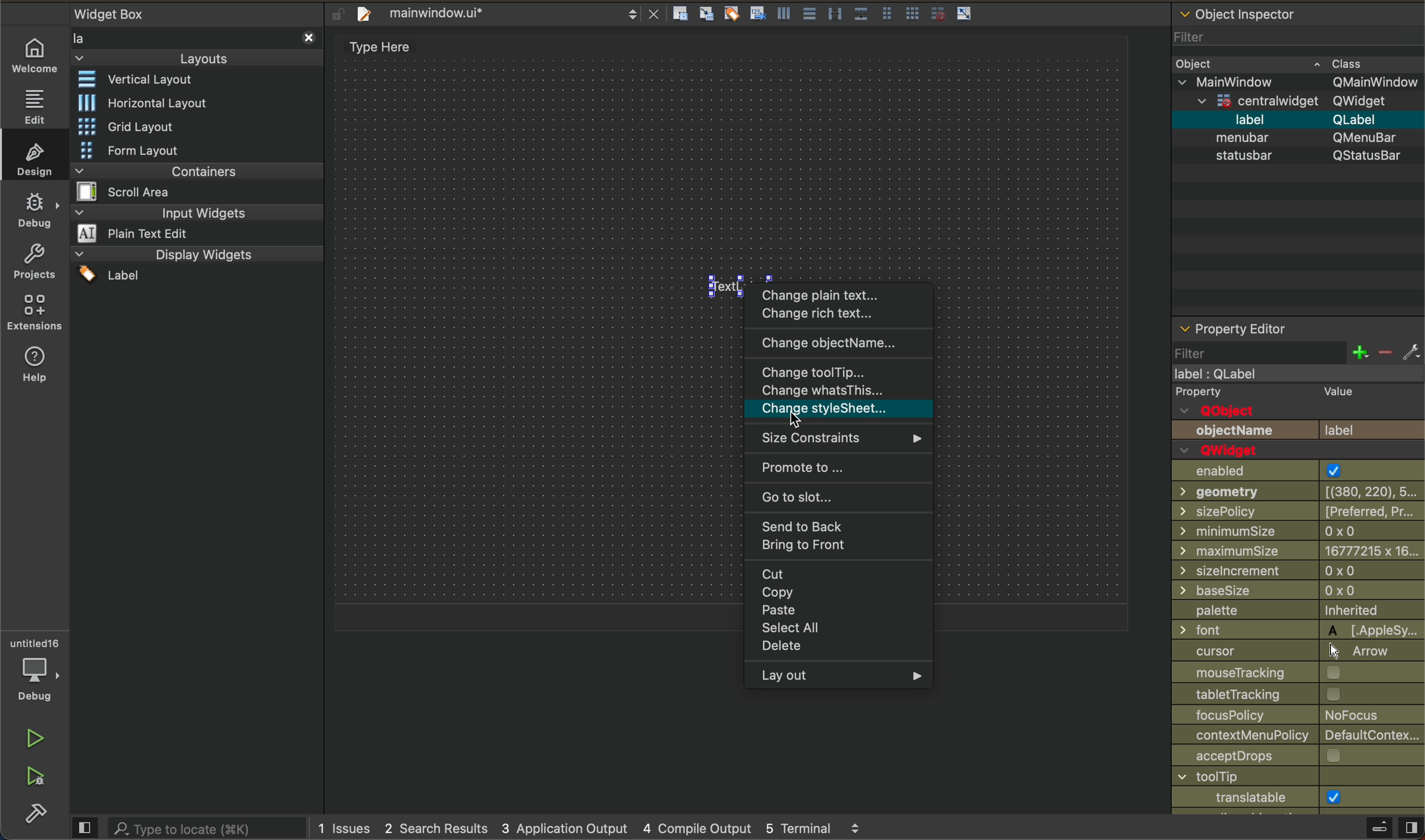 The image size is (1425, 840). I want to click on open sidebar, so click(1380, 827).